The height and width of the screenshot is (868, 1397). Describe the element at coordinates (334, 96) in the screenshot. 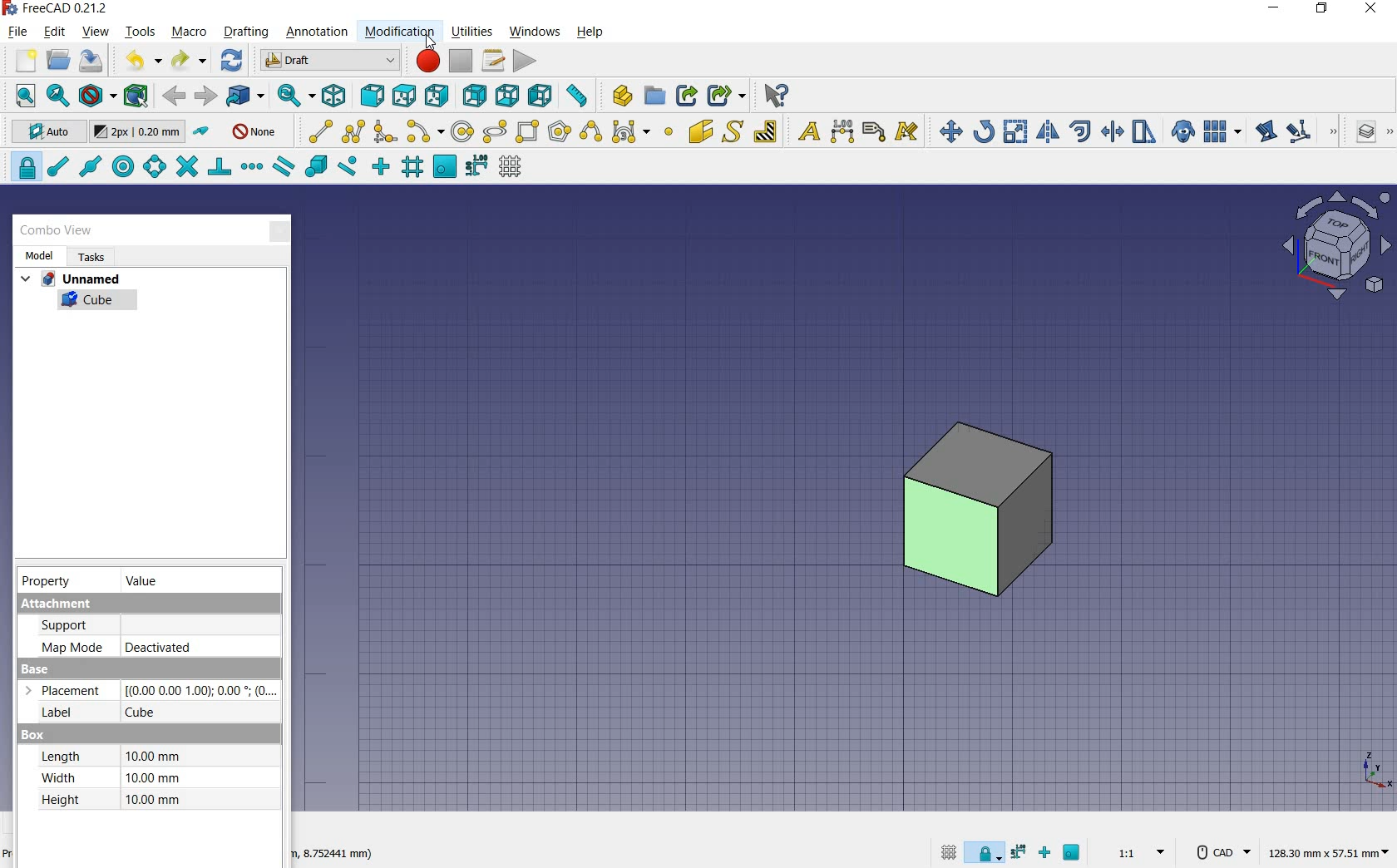

I see `isometric` at that location.